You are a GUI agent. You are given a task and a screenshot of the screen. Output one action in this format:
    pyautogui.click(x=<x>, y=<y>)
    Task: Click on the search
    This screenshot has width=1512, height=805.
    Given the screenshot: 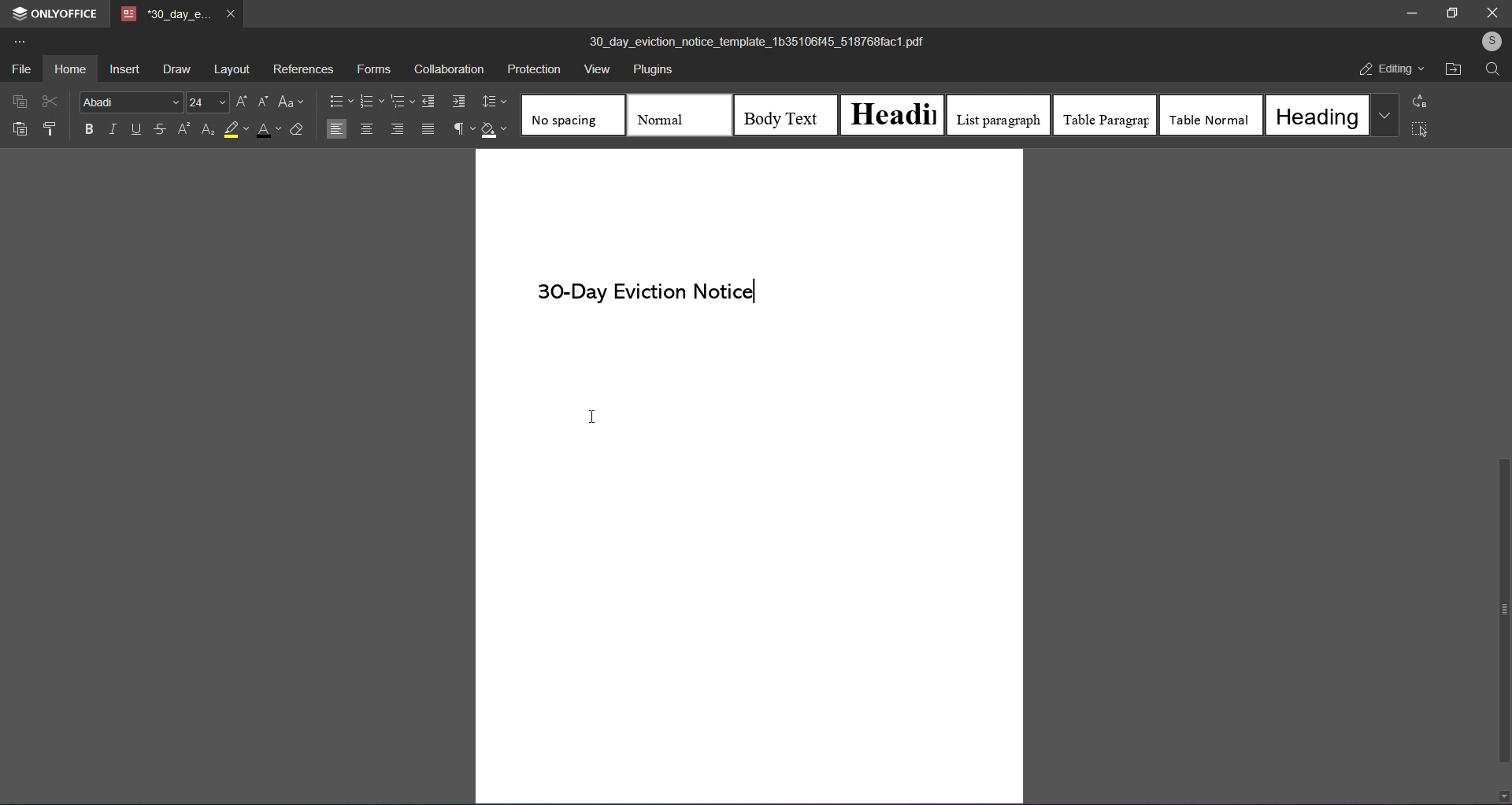 What is the action you would take?
    pyautogui.click(x=1494, y=70)
    